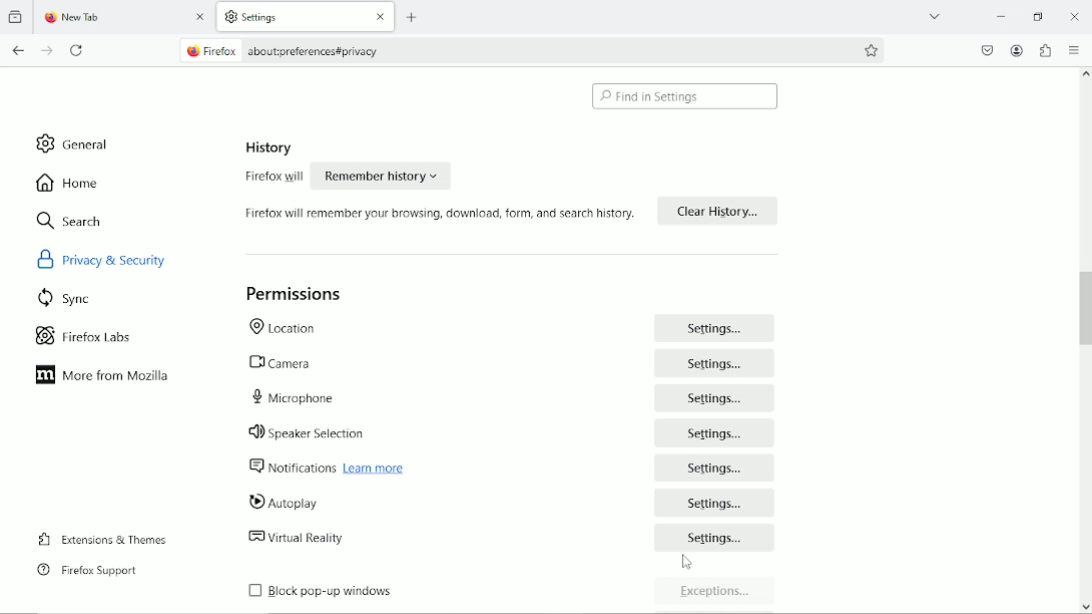 The width and height of the screenshot is (1092, 614). I want to click on autoplay, so click(341, 504).